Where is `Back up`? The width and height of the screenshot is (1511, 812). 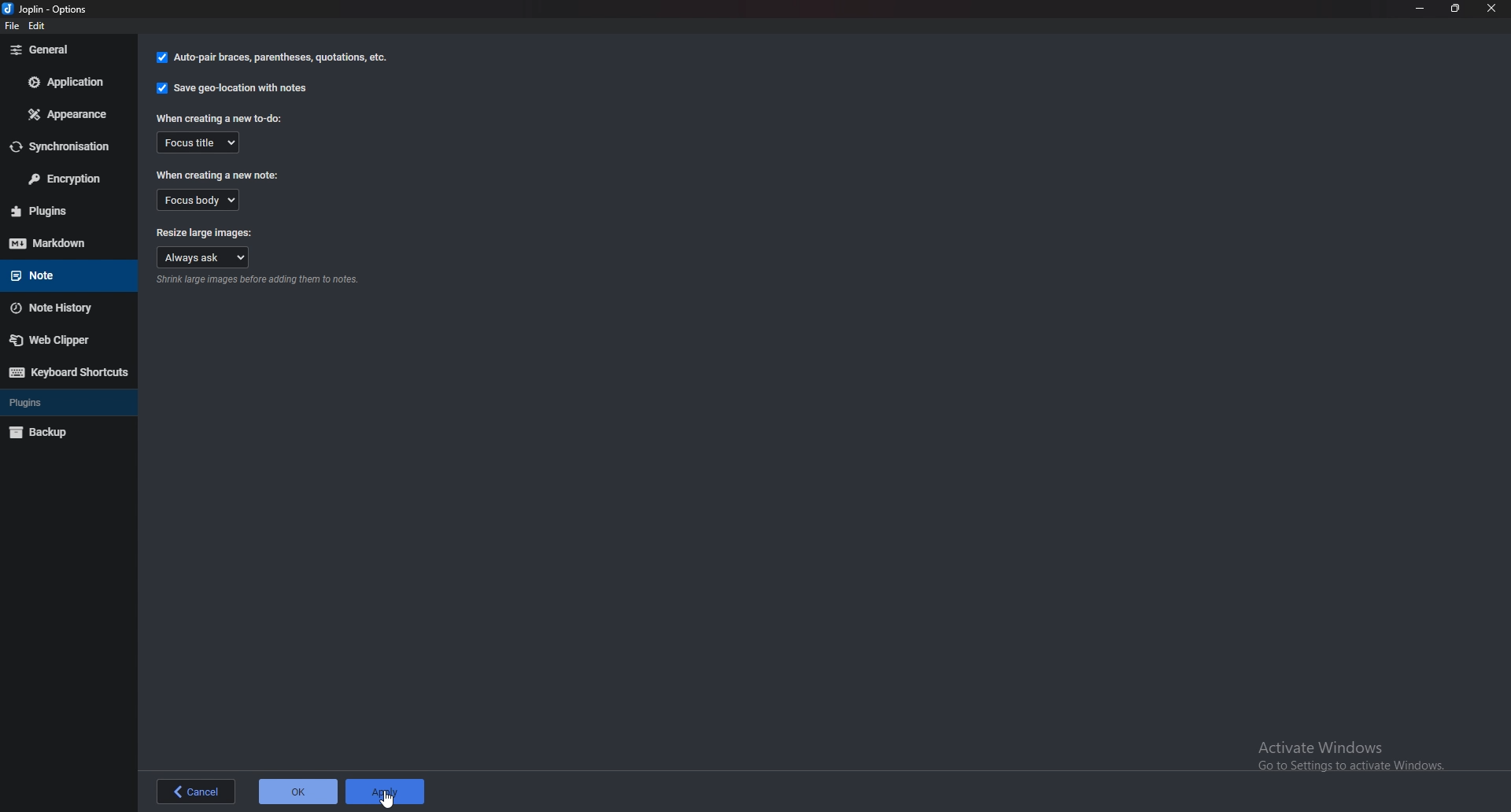
Back up is located at coordinates (65, 433).